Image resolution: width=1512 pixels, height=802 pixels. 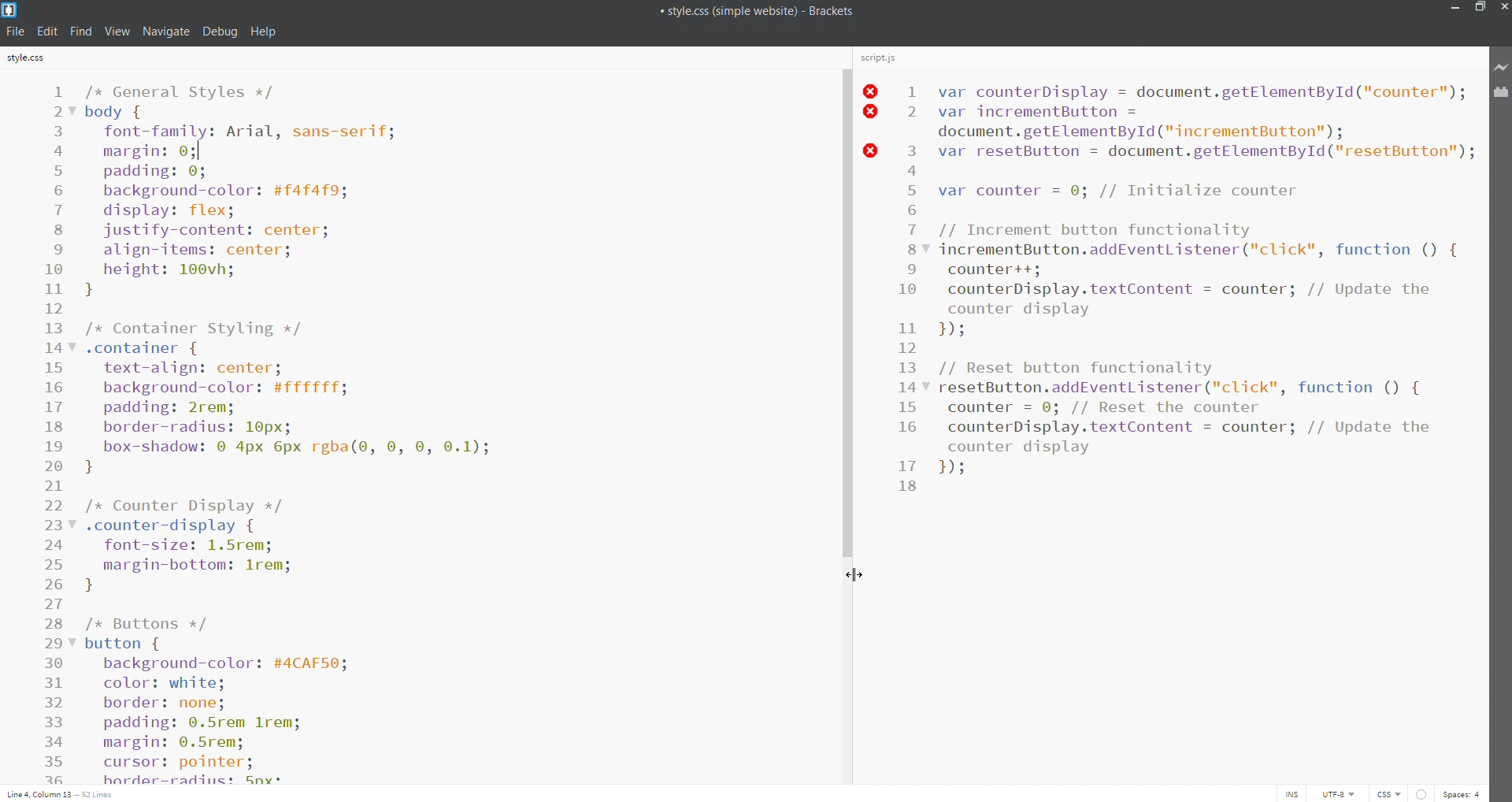 I want to click on style.css editor, so click(x=326, y=429).